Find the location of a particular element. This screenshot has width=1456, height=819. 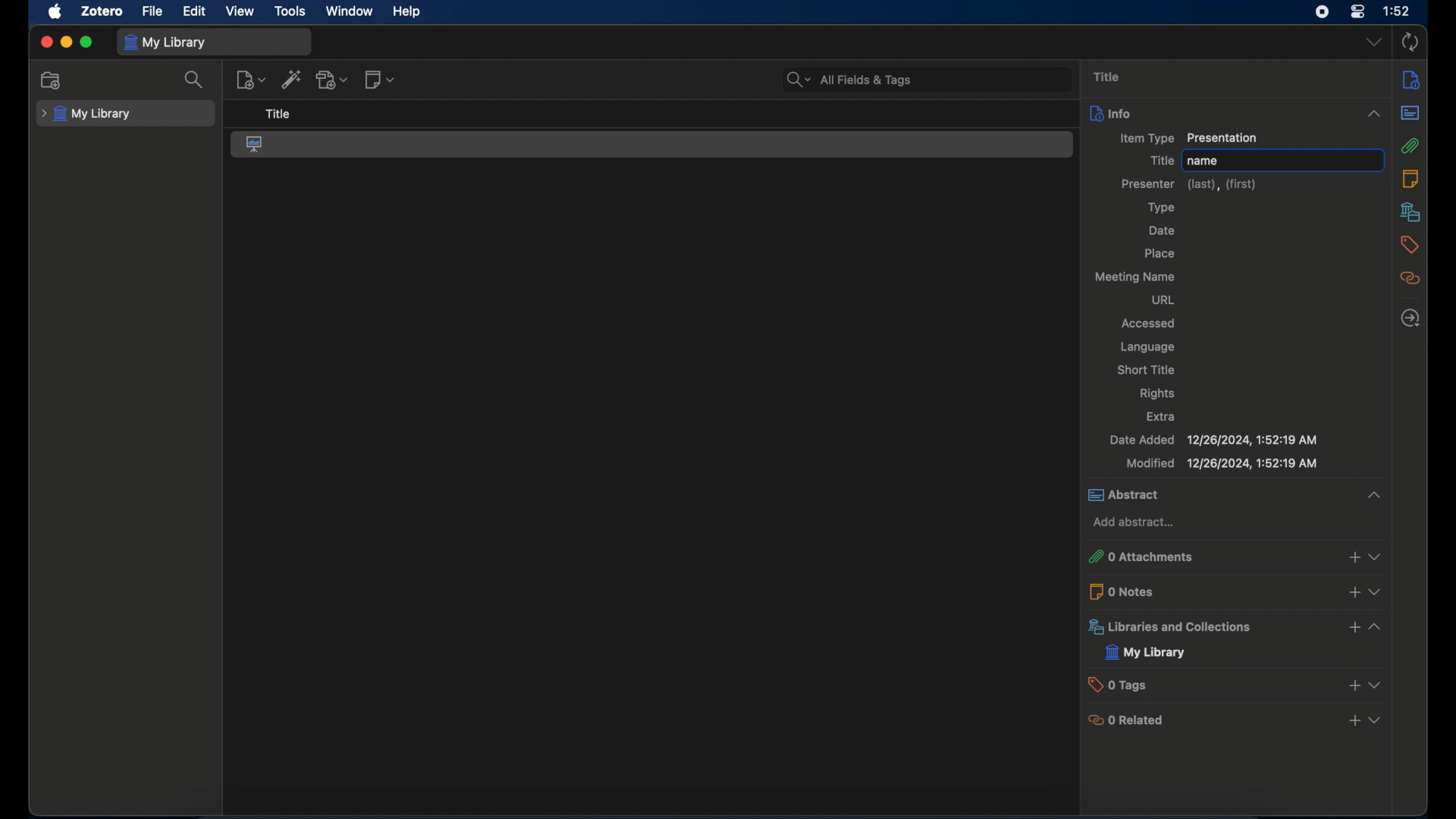

type is located at coordinates (1161, 208).